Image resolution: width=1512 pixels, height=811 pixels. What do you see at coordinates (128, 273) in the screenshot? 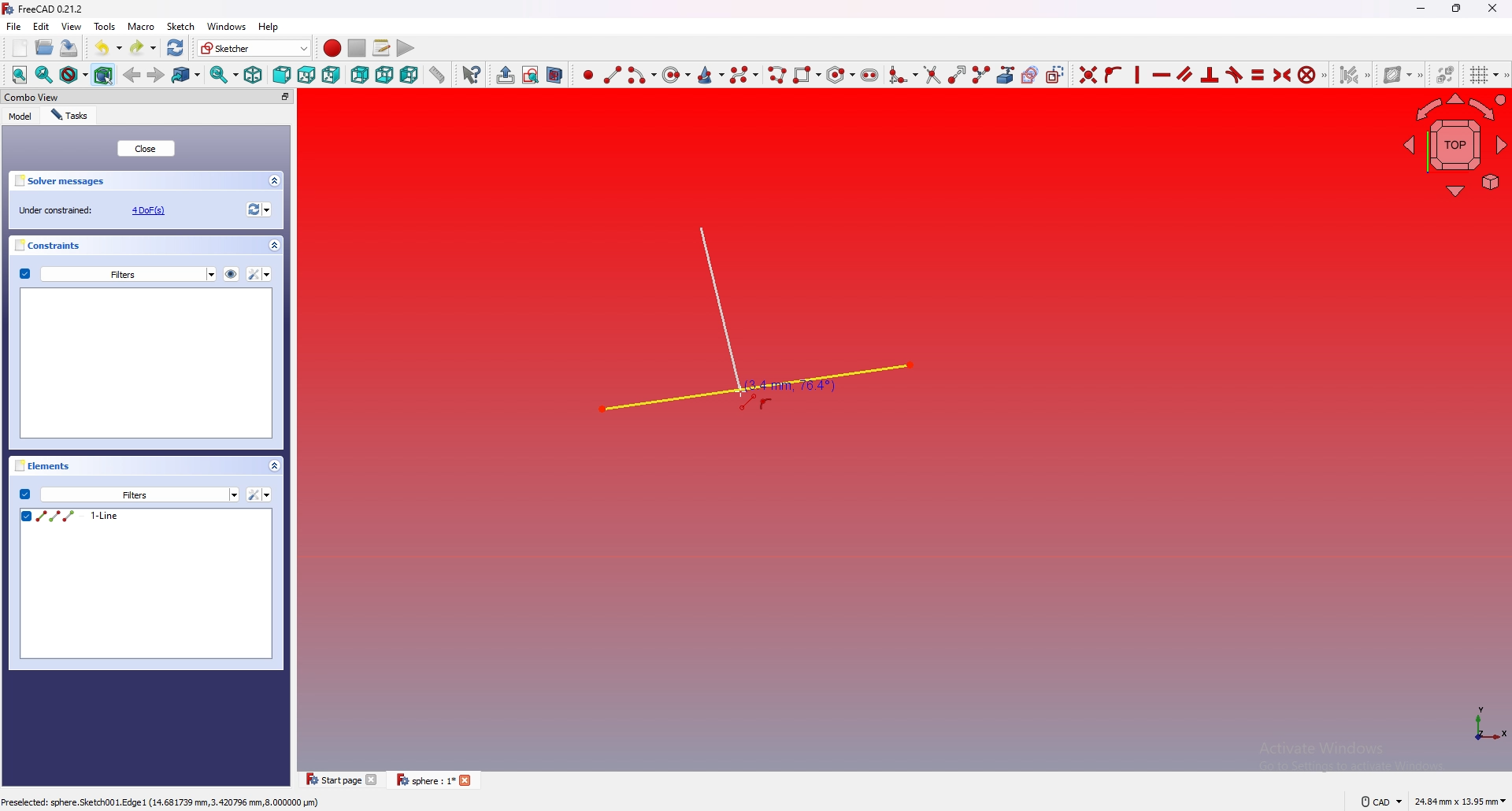
I see `Filters` at bounding box center [128, 273].